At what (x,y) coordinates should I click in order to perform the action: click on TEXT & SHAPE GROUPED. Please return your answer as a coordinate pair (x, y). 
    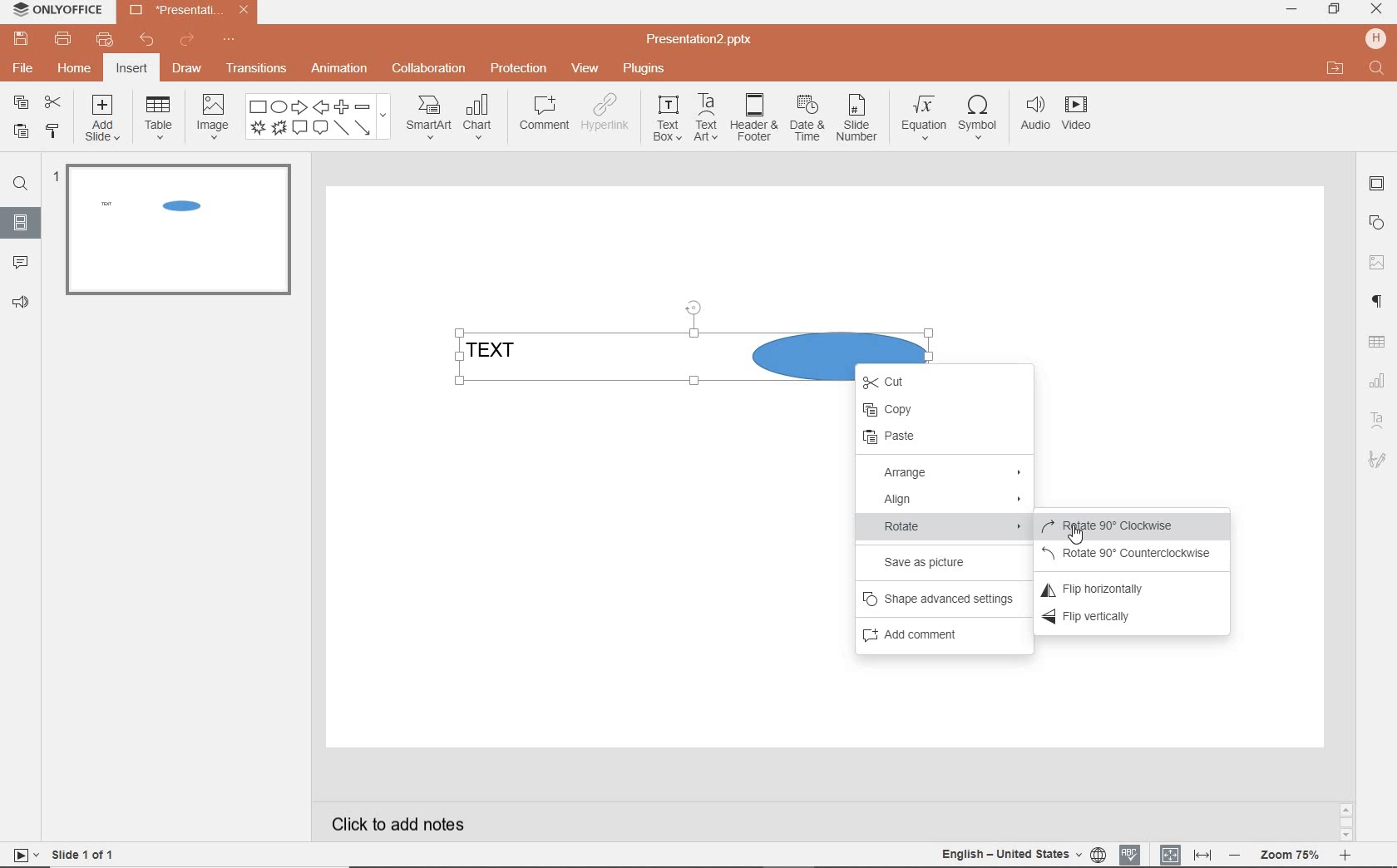
    Looking at the image, I should click on (613, 358).